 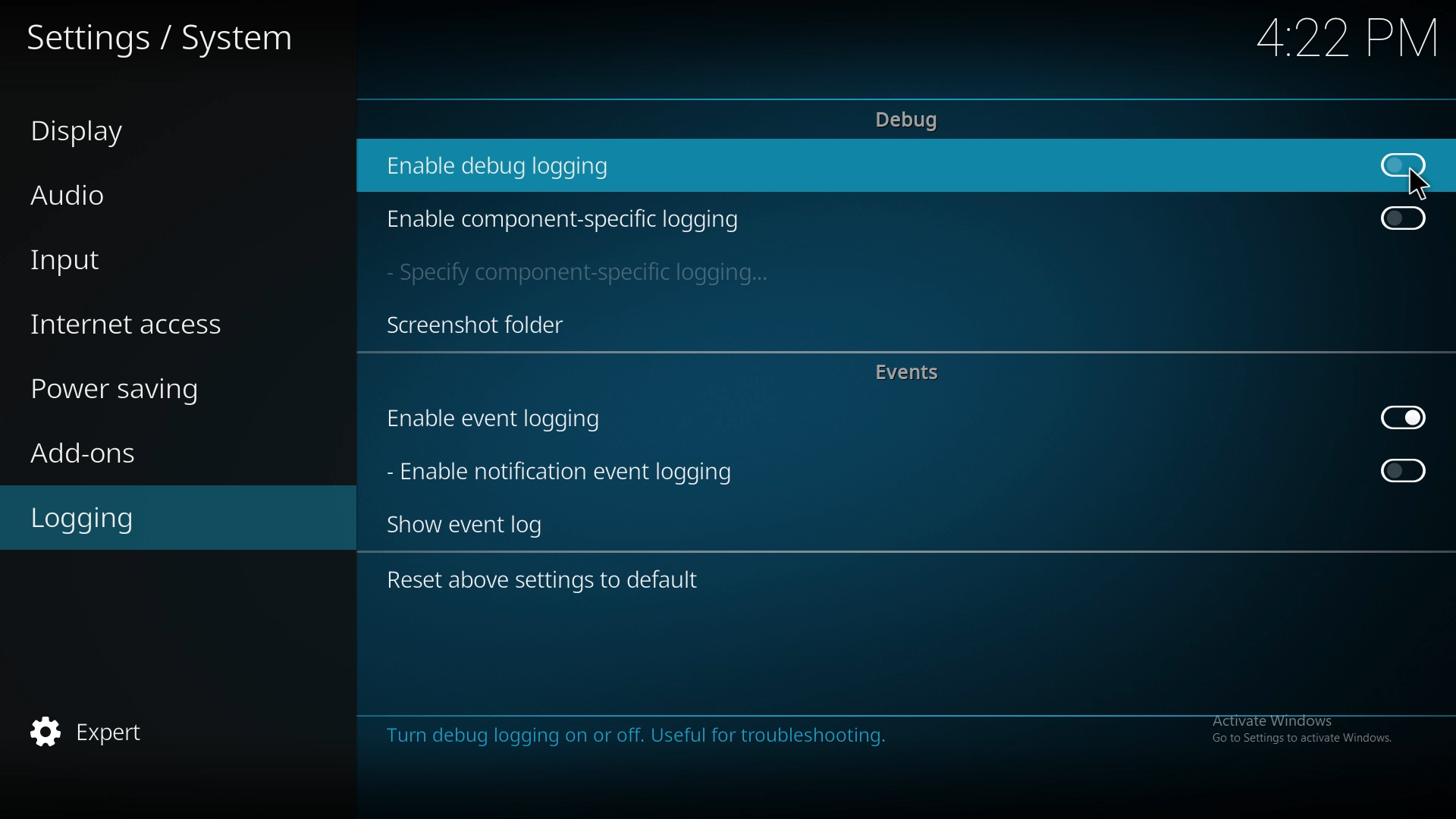 I want to click on cursor, so click(x=1416, y=184).